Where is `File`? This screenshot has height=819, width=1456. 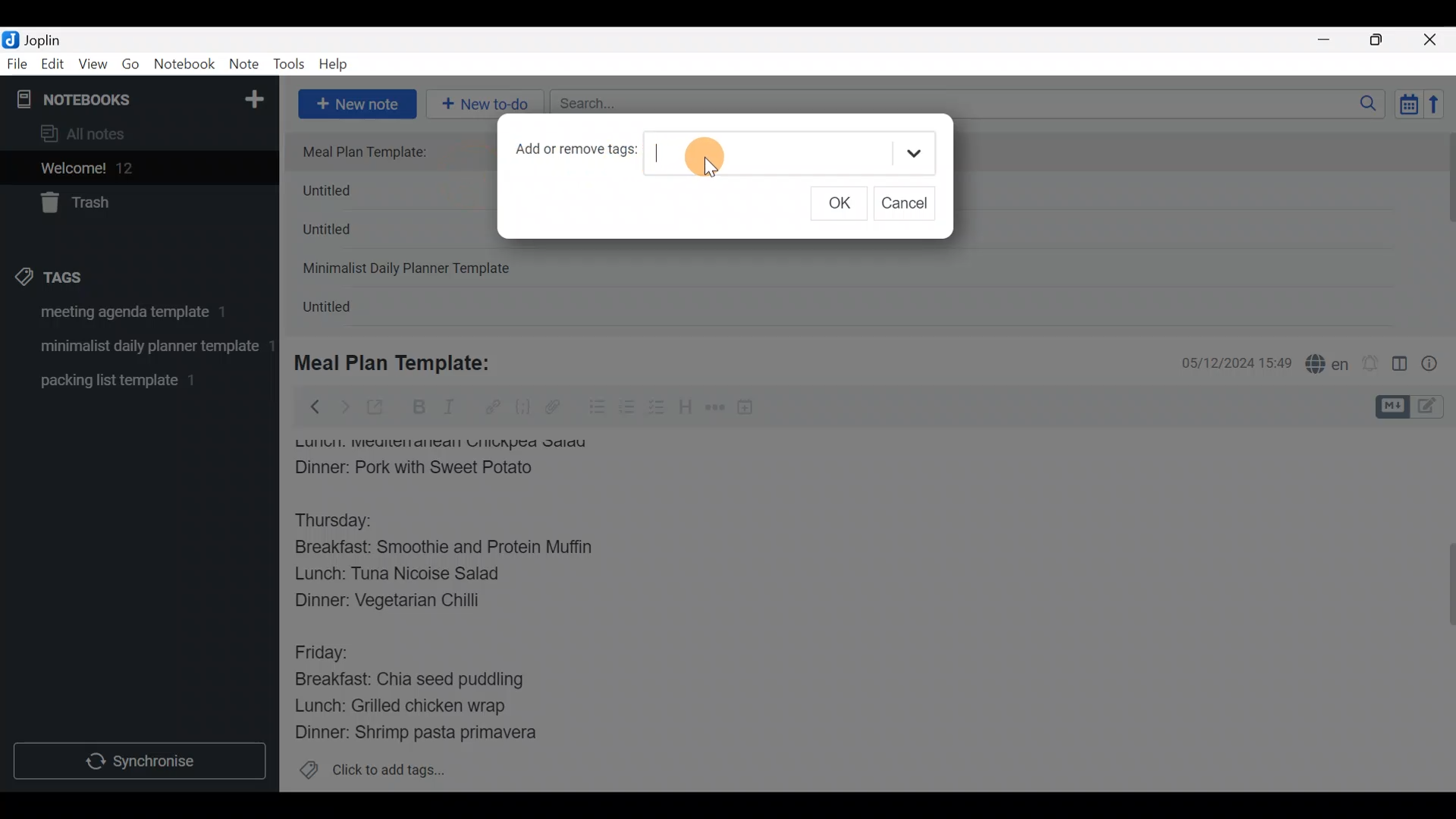
File is located at coordinates (18, 64).